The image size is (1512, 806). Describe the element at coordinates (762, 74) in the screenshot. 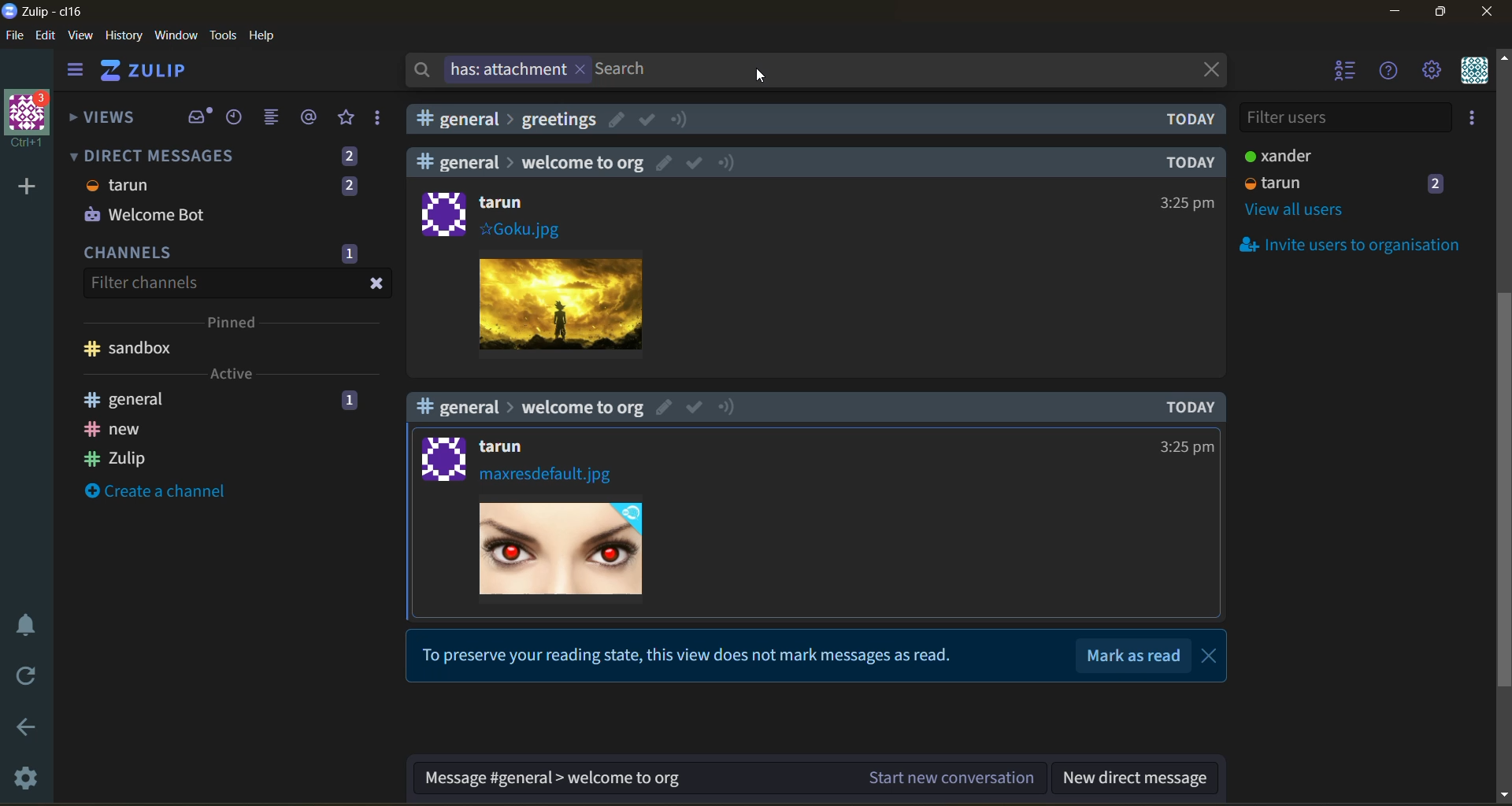

I see `cursor` at that location.